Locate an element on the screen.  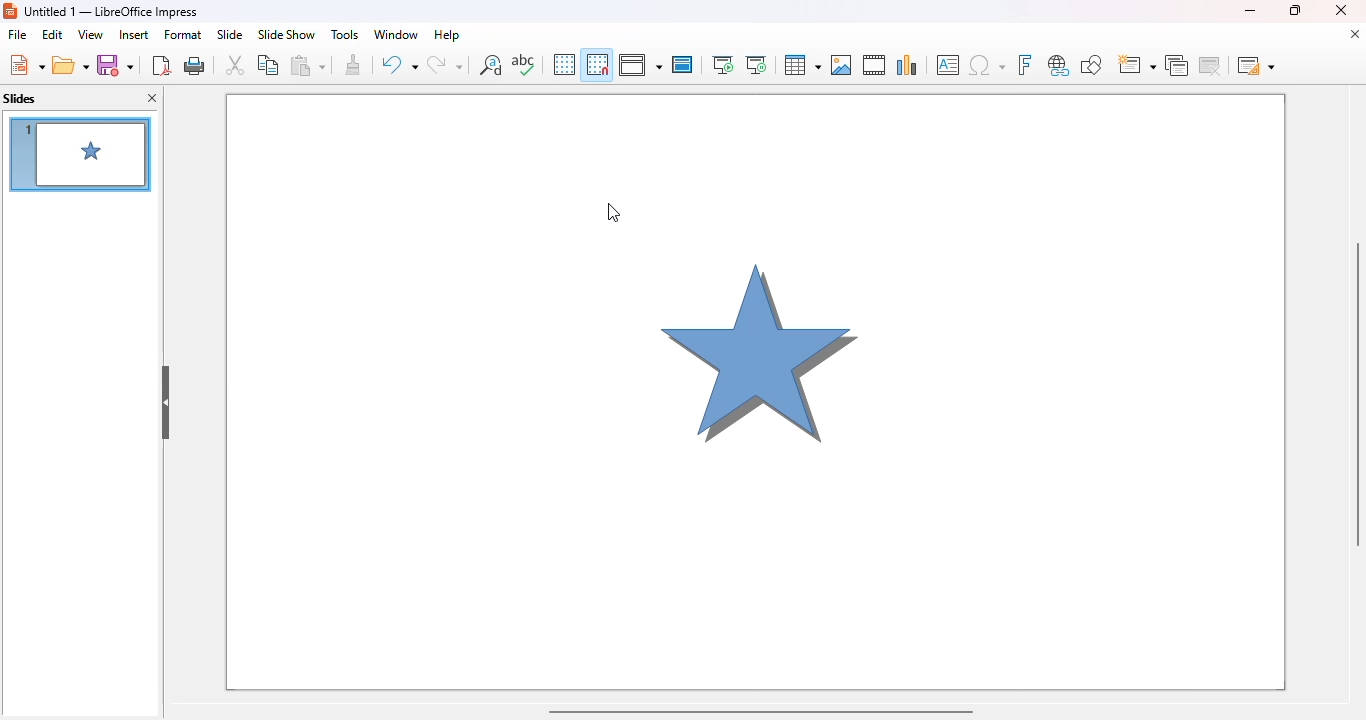
close document is located at coordinates (1355, 34).